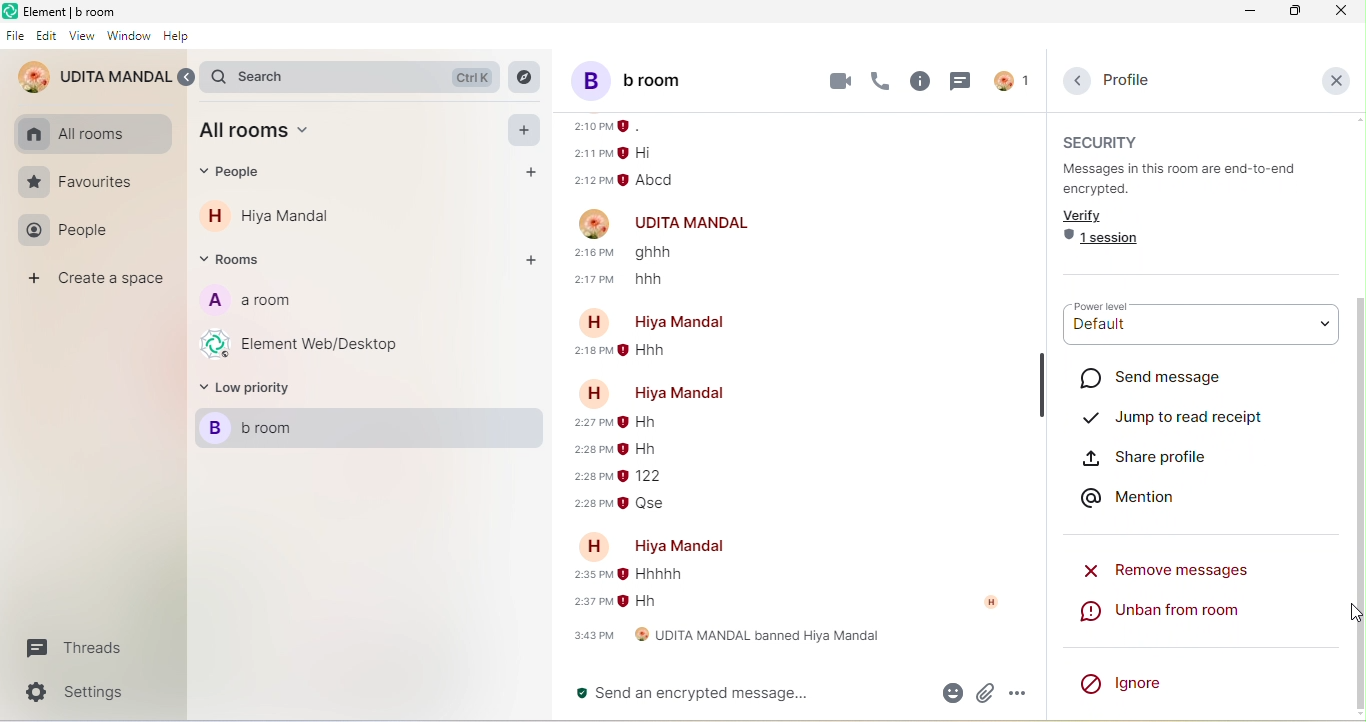 Image resolution: width=1366 pixels, height=722 pixels. Describe the element at coordinates (373, 430) in the screenshot. I see `b room` at that location.